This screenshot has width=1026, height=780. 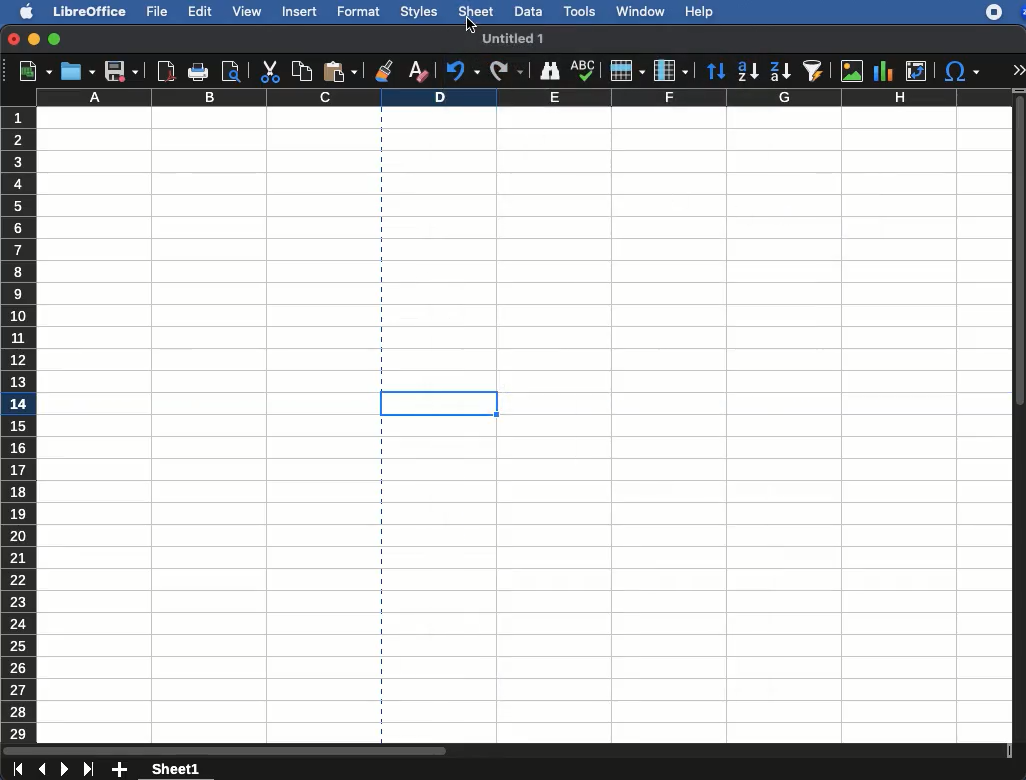 I want to click on apple , so click(x=21, y=11).